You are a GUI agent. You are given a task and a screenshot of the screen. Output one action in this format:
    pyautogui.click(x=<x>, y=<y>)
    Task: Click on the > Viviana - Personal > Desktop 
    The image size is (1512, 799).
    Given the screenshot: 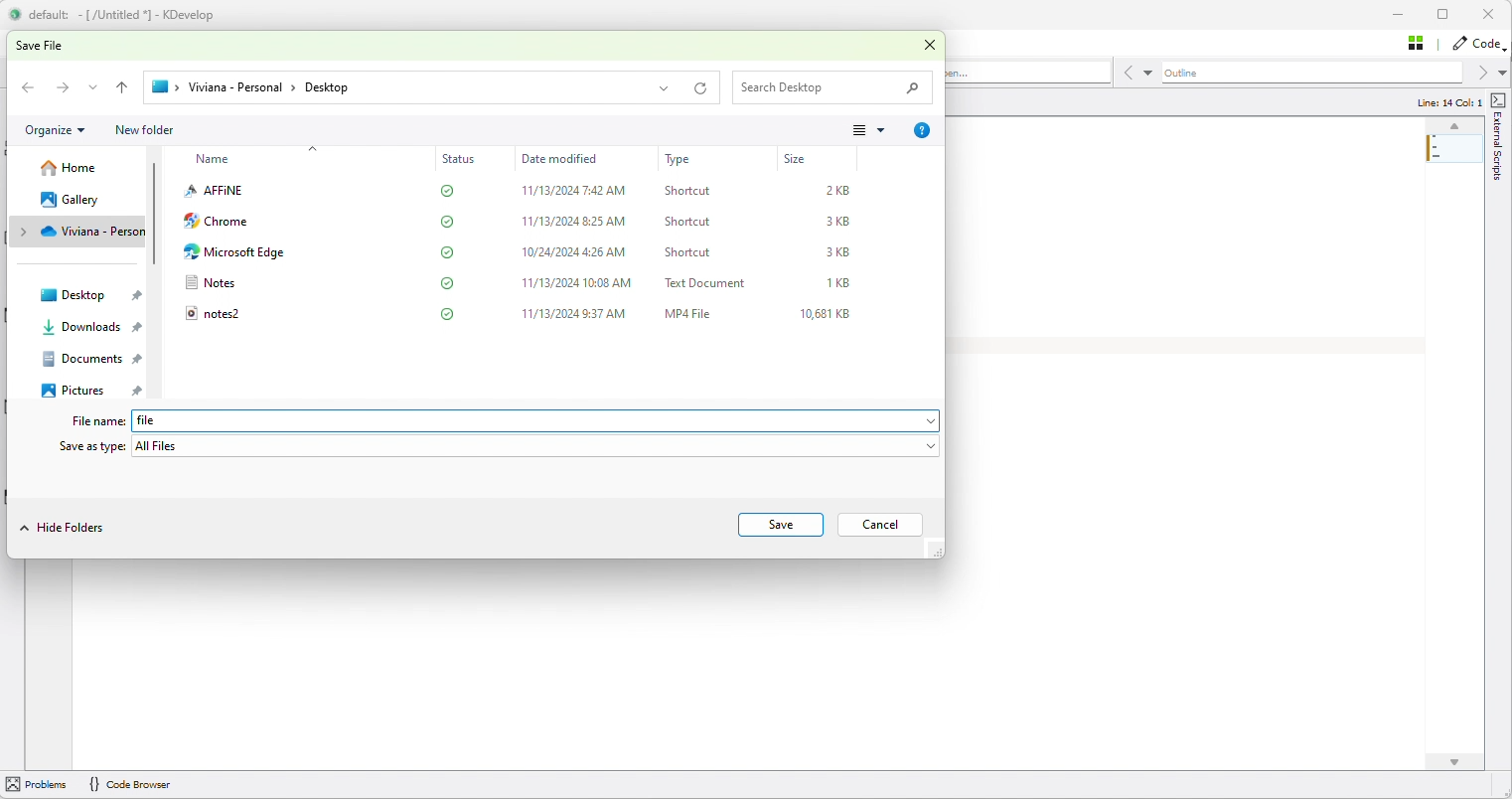 What is the action you would take?
    pyautogui.click(x=410, y=88)
    